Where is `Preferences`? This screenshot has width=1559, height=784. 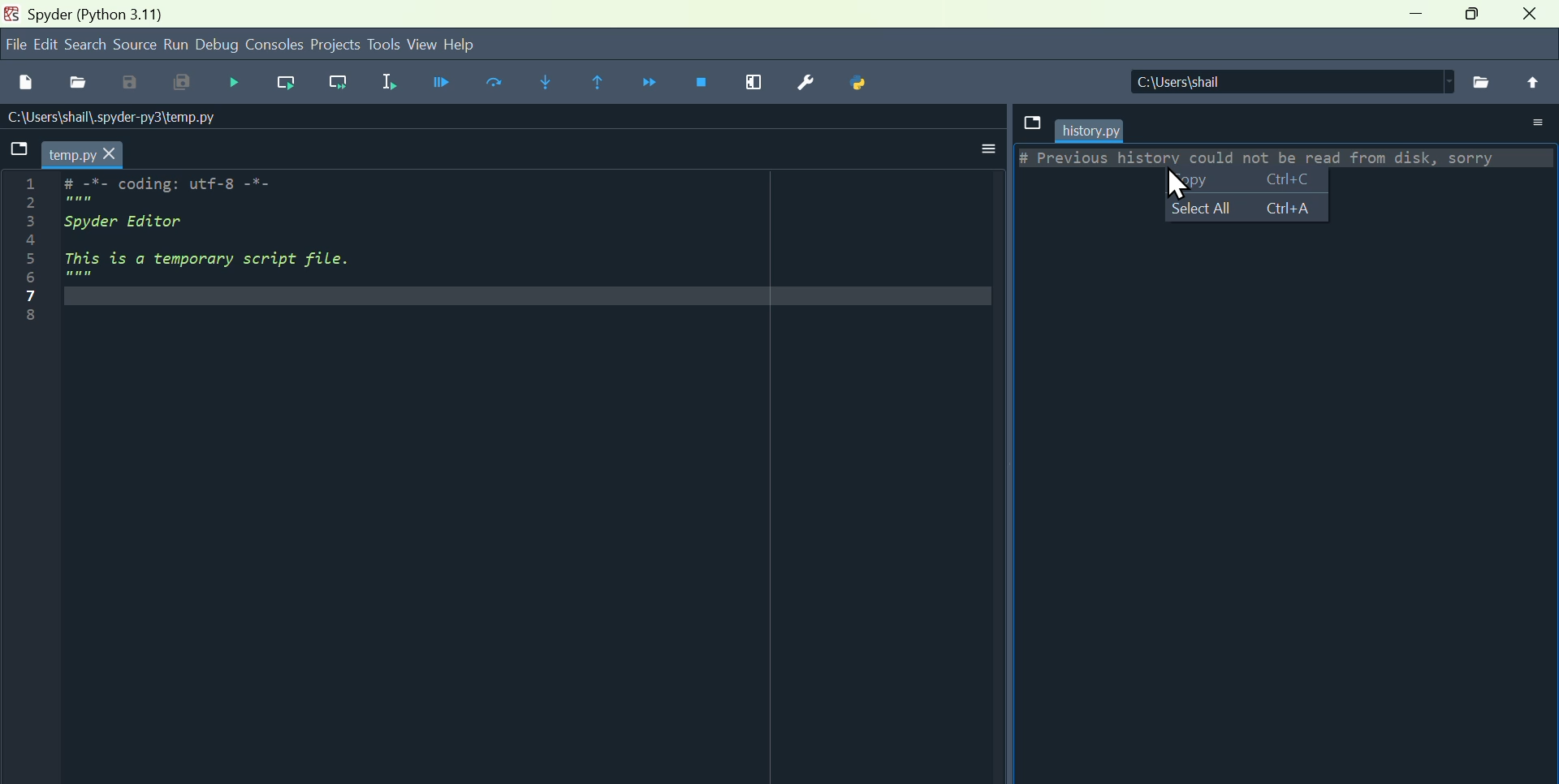
Preferences is located at coordinates (813, 80).